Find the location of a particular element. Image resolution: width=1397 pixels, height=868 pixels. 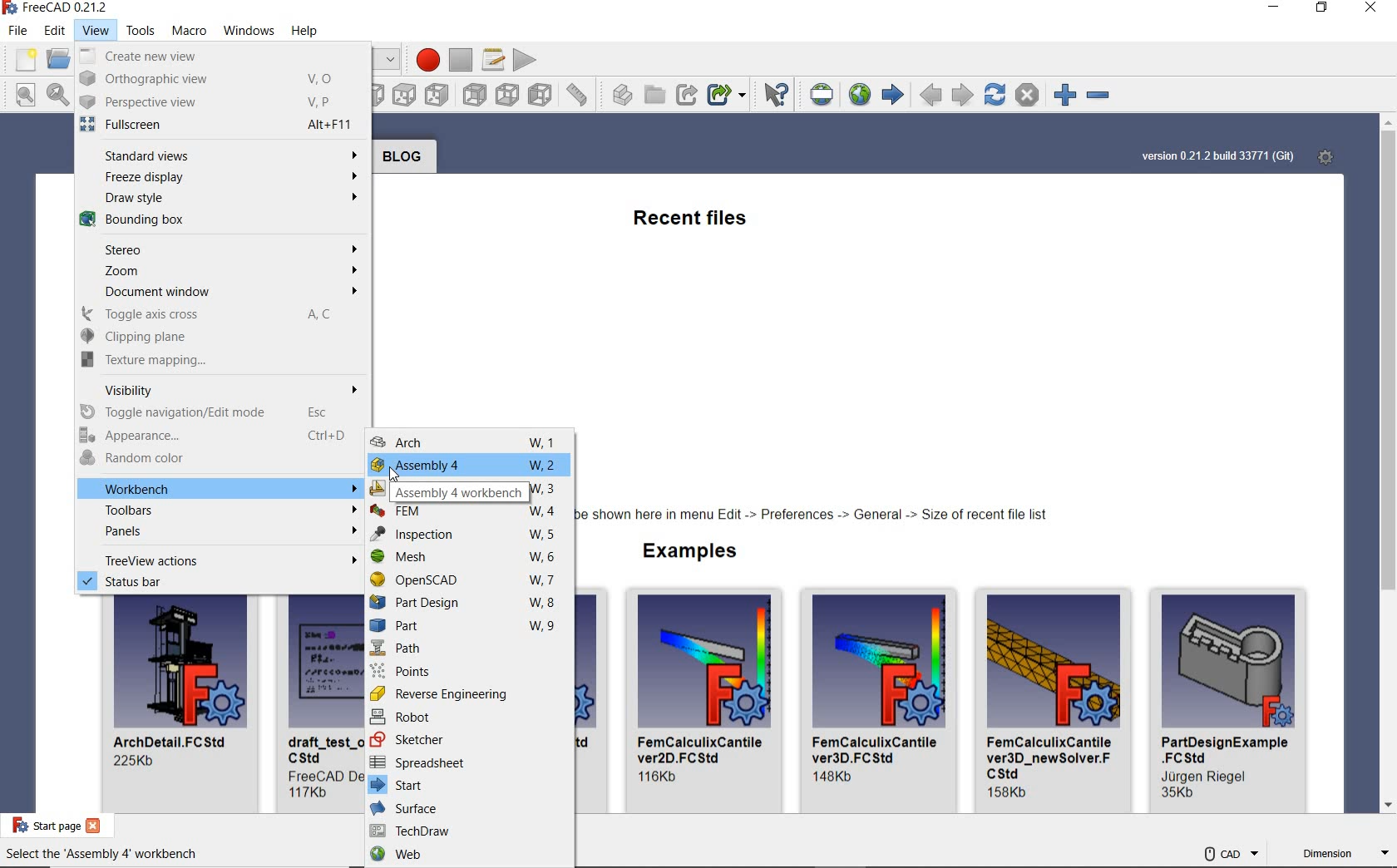

top is located at coordinates (405, 96).